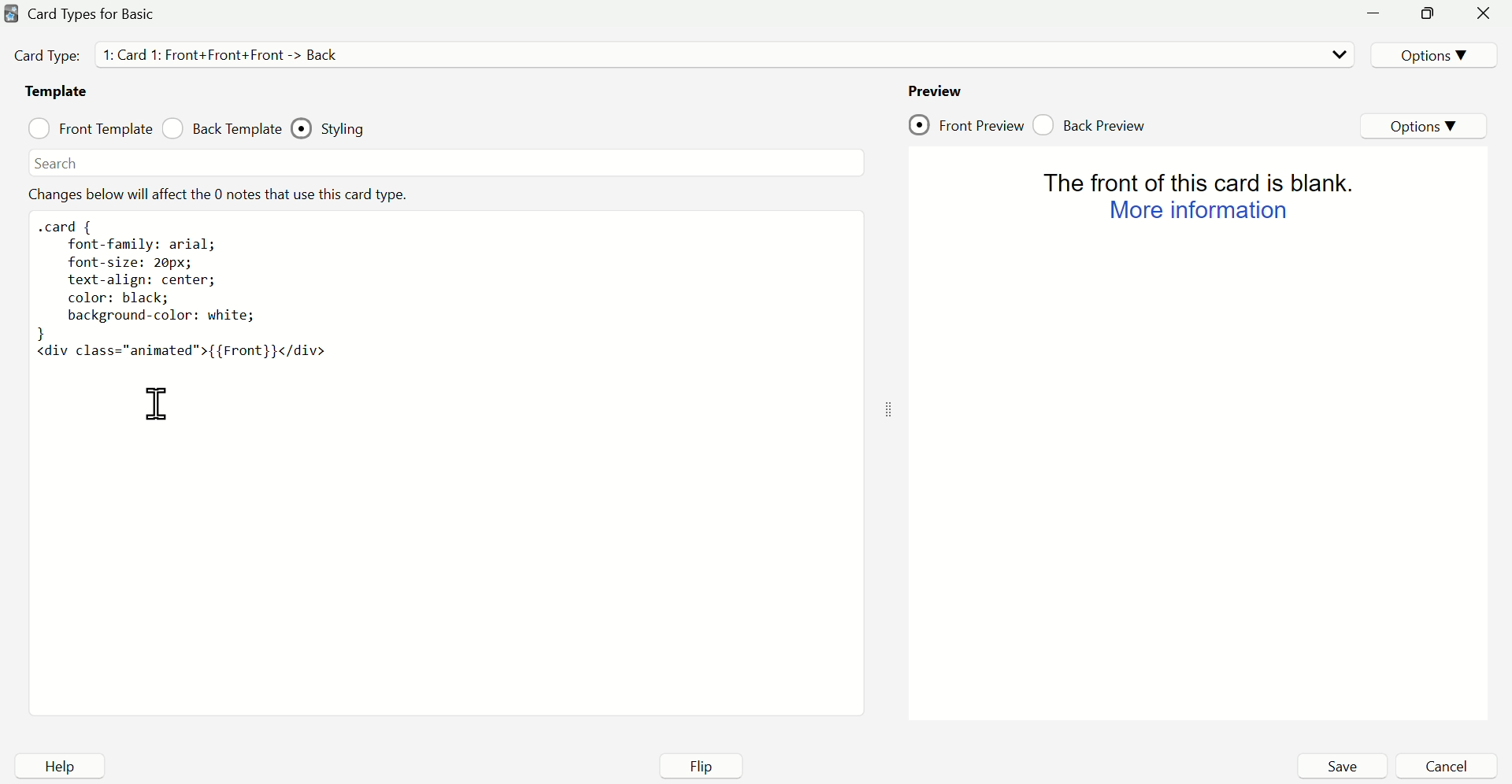  What do you see at coordinates (444, 449) in the screenshot?
I see `code area` at bounding box center [444, 449].